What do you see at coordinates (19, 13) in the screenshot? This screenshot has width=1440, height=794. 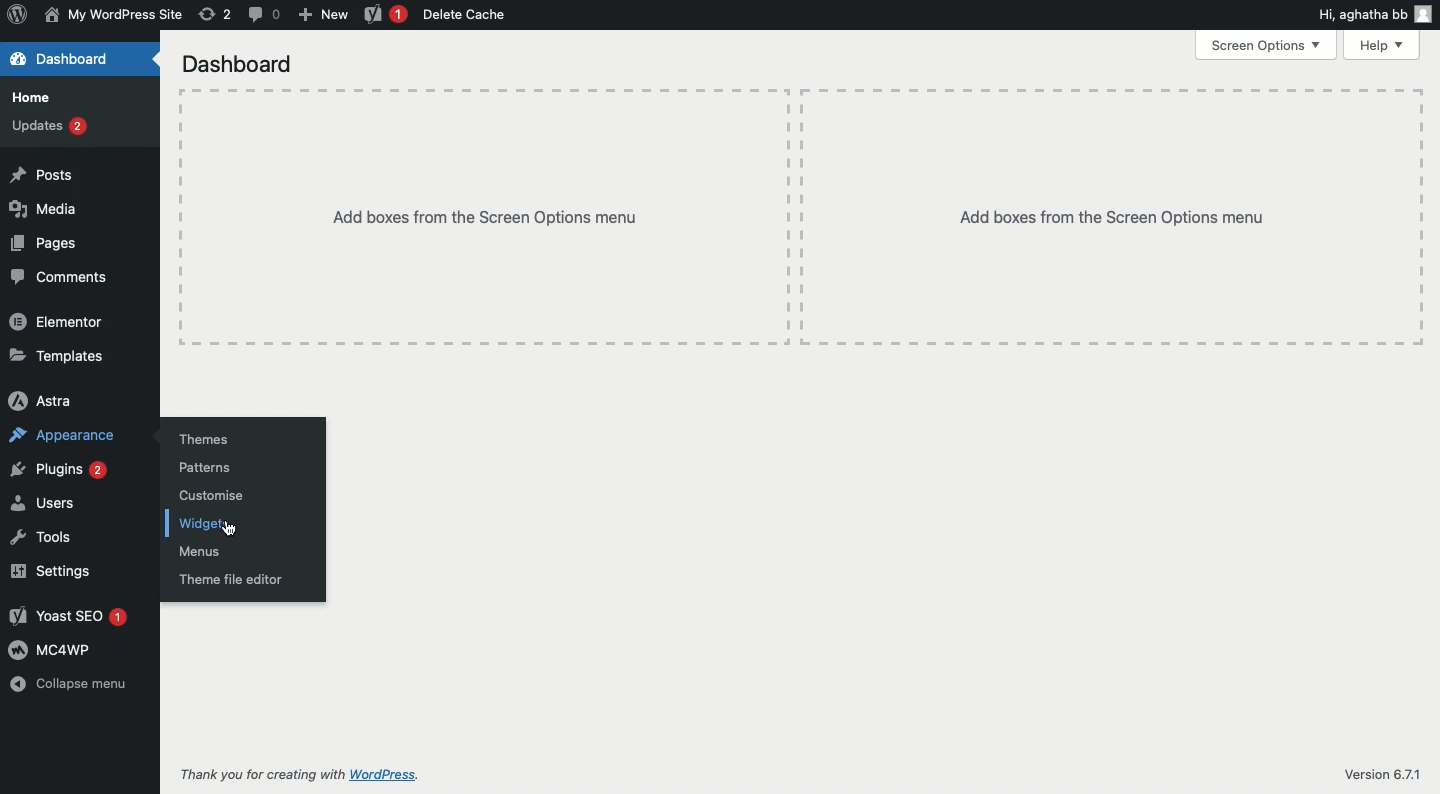 I see `Logo` at bounding box center [19, 13].